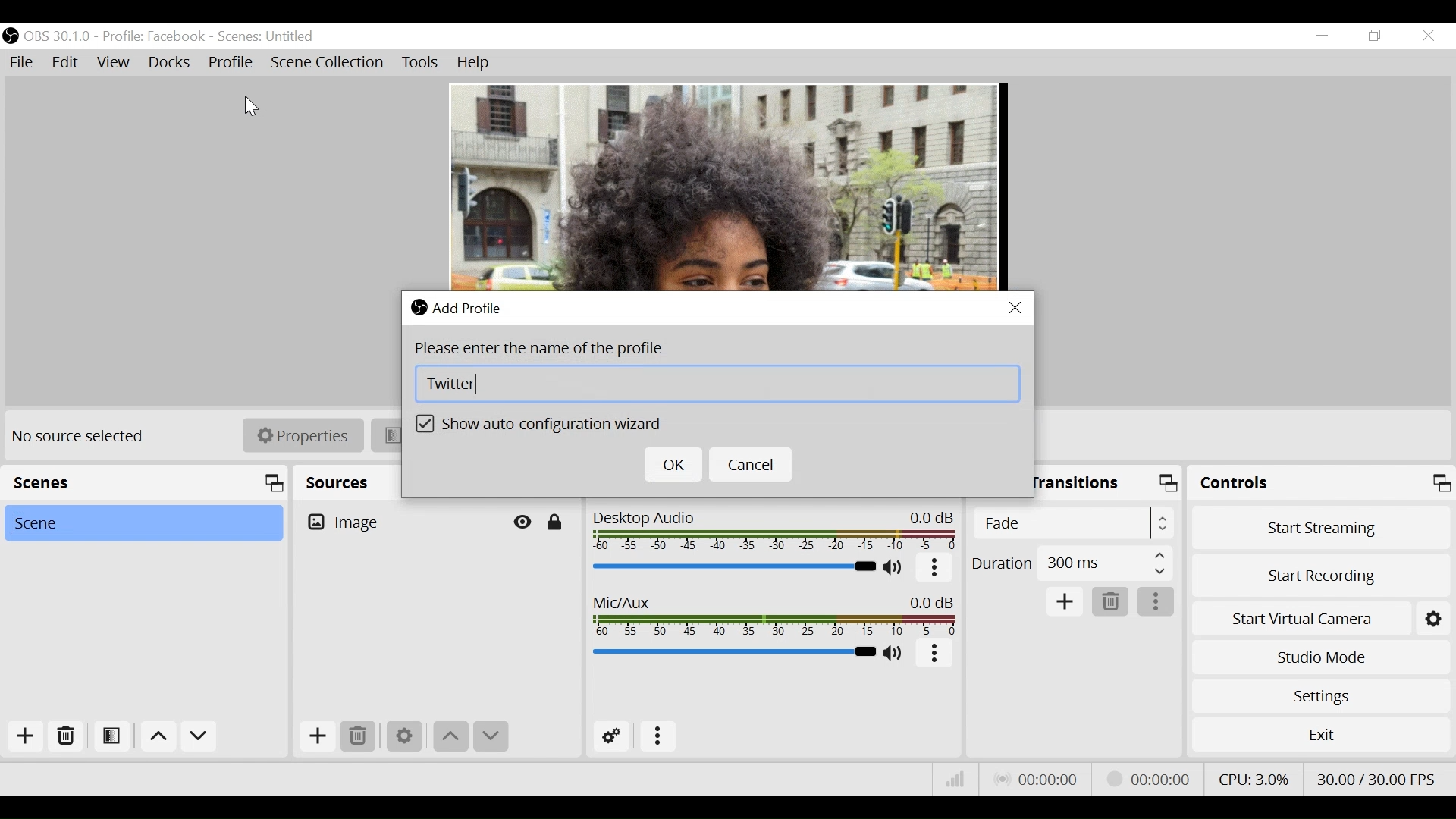 Image resolution: width=1456 pixels, height=819 pixels. What do you see at coordinates (1321, 37) in the screenshot?
I see `minimize` at bounding box center [1321, 37].